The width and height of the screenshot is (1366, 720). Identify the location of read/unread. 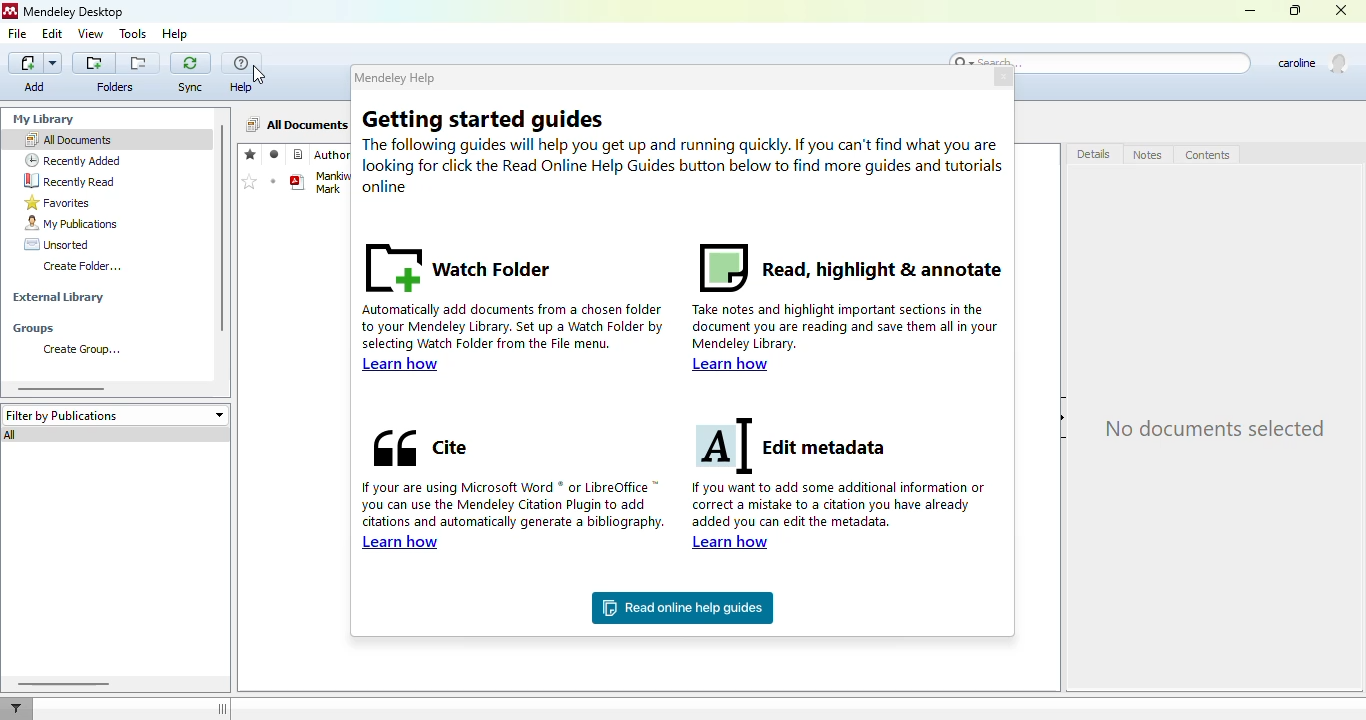
(274, 155).